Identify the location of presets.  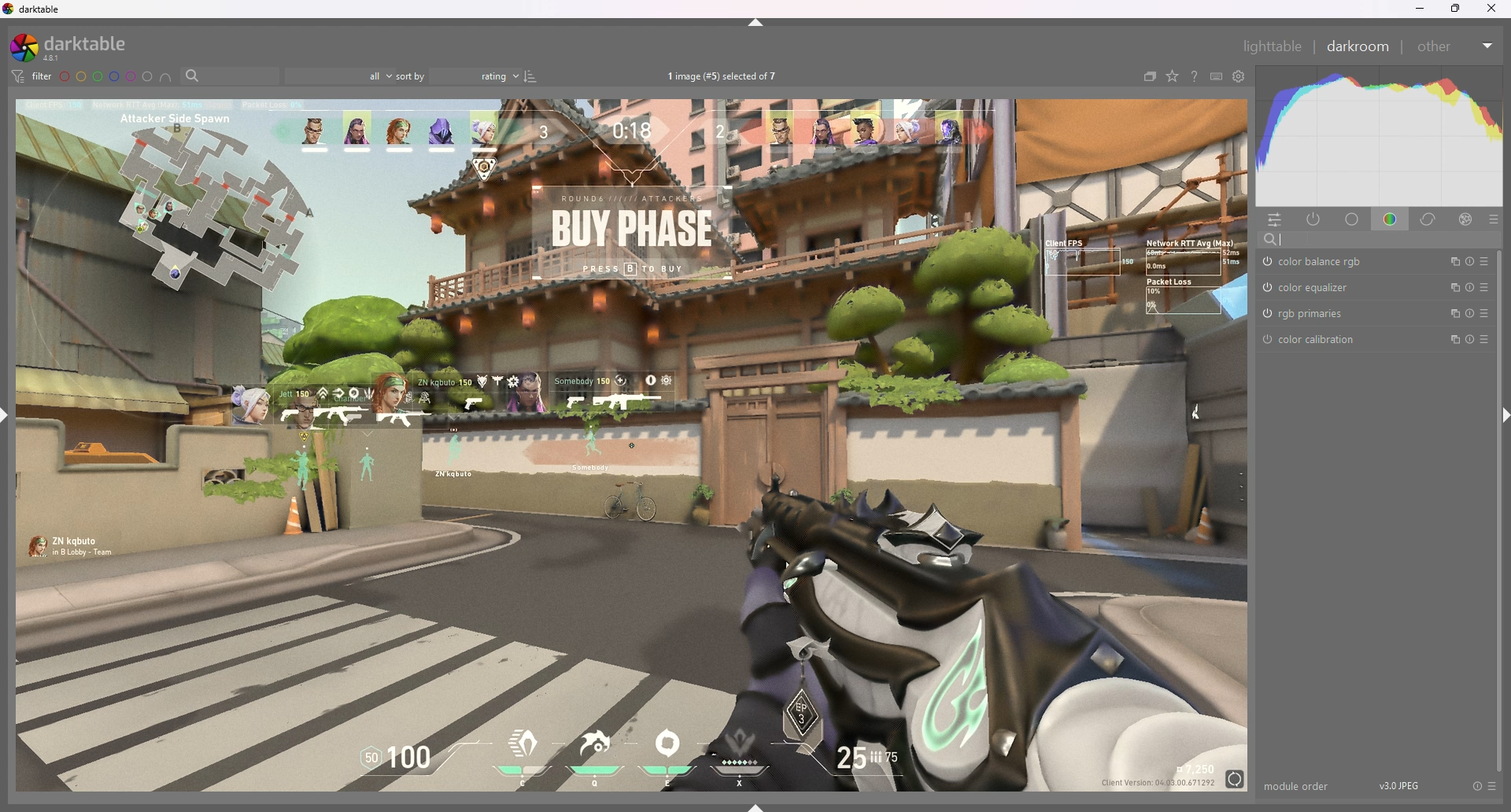
(1484, 338).